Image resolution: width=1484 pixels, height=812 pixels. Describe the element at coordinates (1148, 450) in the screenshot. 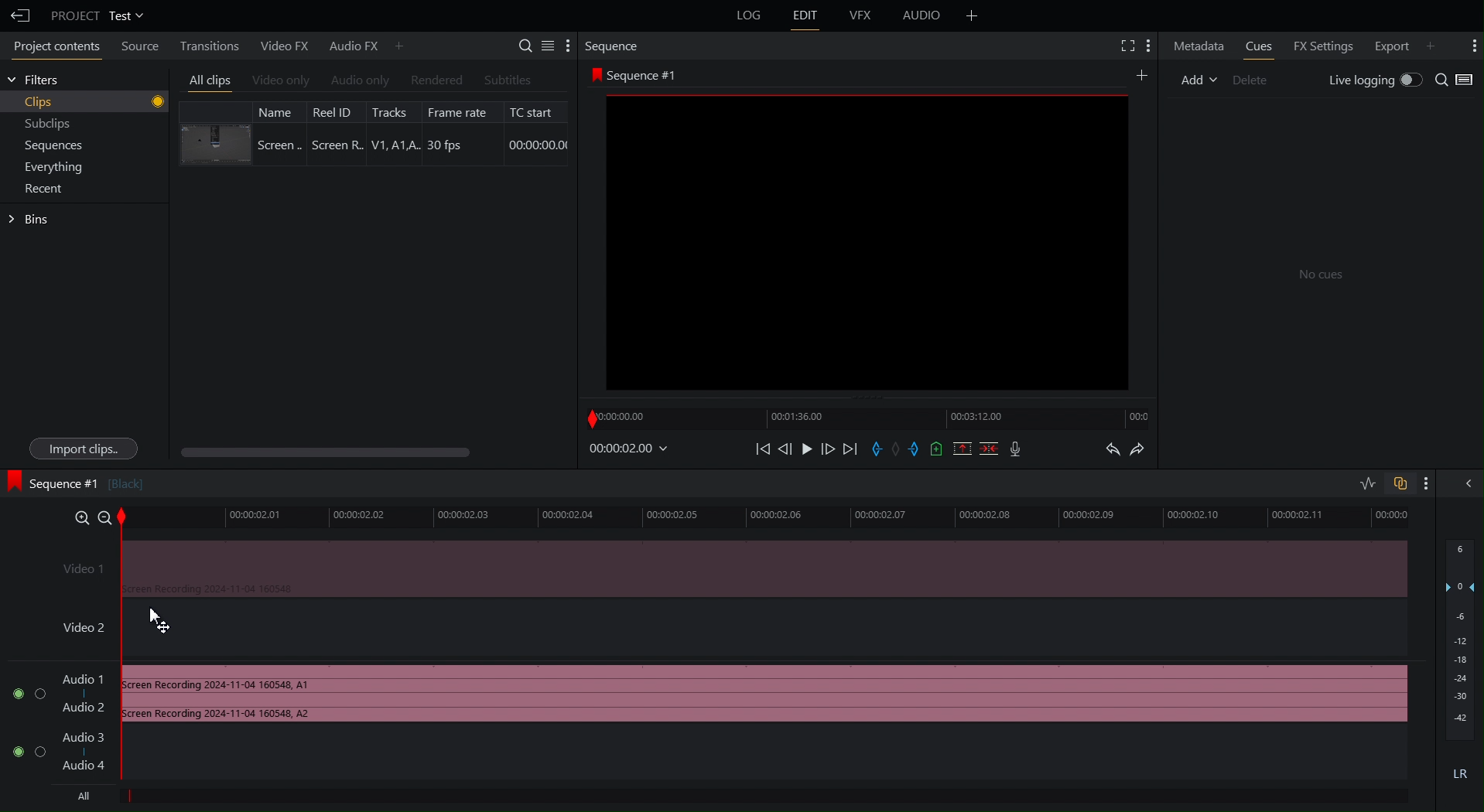

I see `Redo` at that location.